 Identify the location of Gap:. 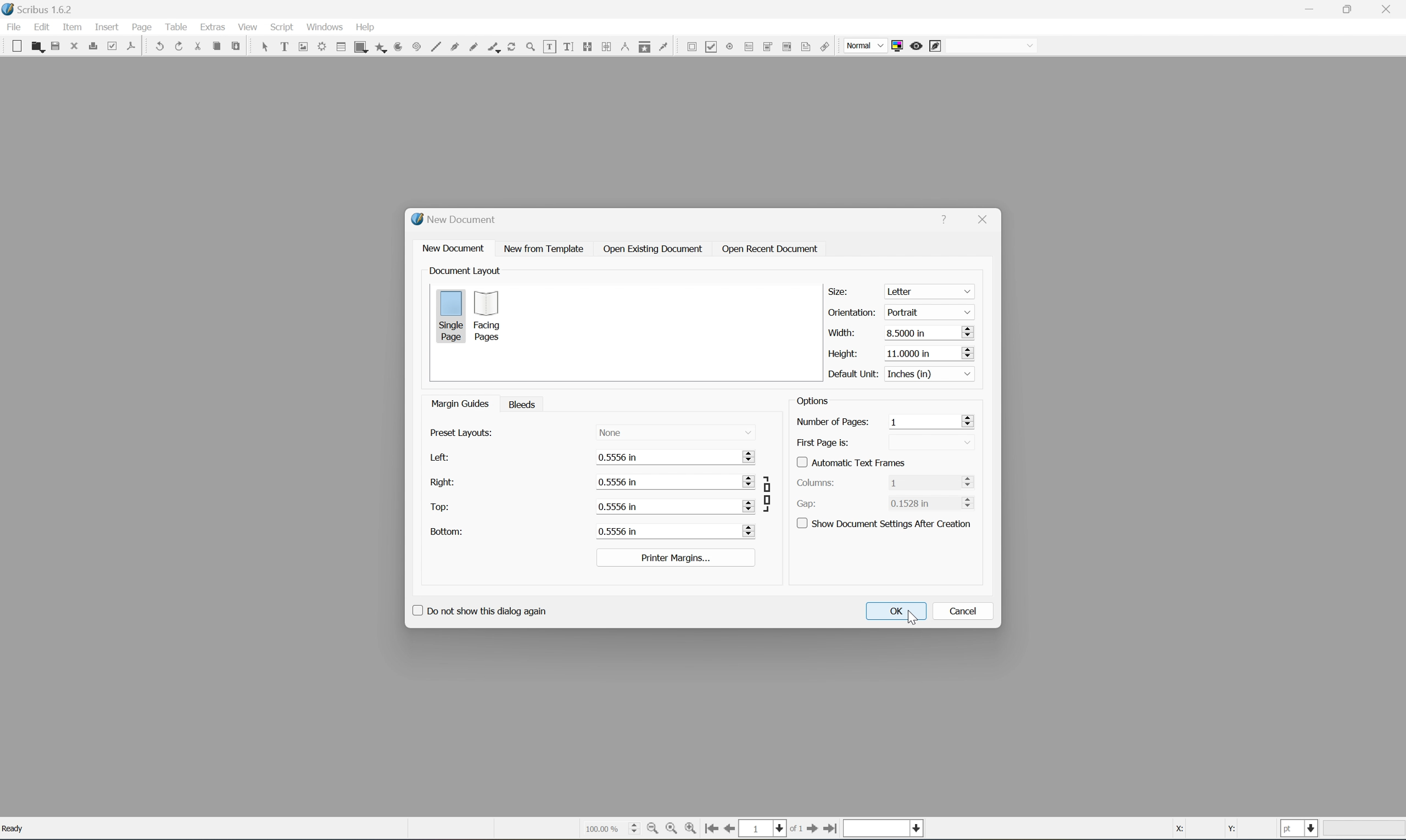
(810, 504).